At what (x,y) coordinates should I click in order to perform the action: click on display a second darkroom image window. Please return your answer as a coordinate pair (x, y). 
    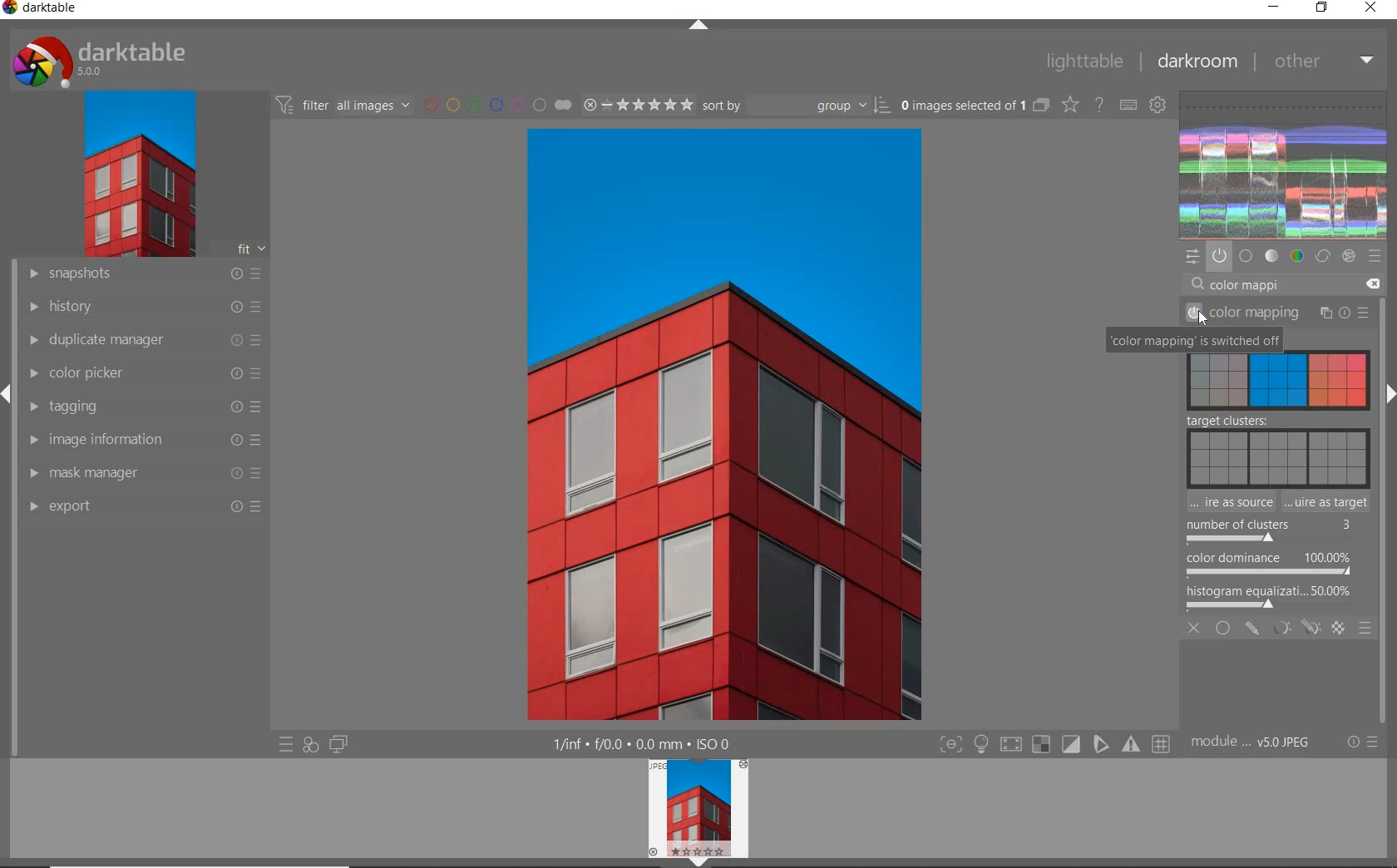
    Looking at the image, I should click on (336, 747).